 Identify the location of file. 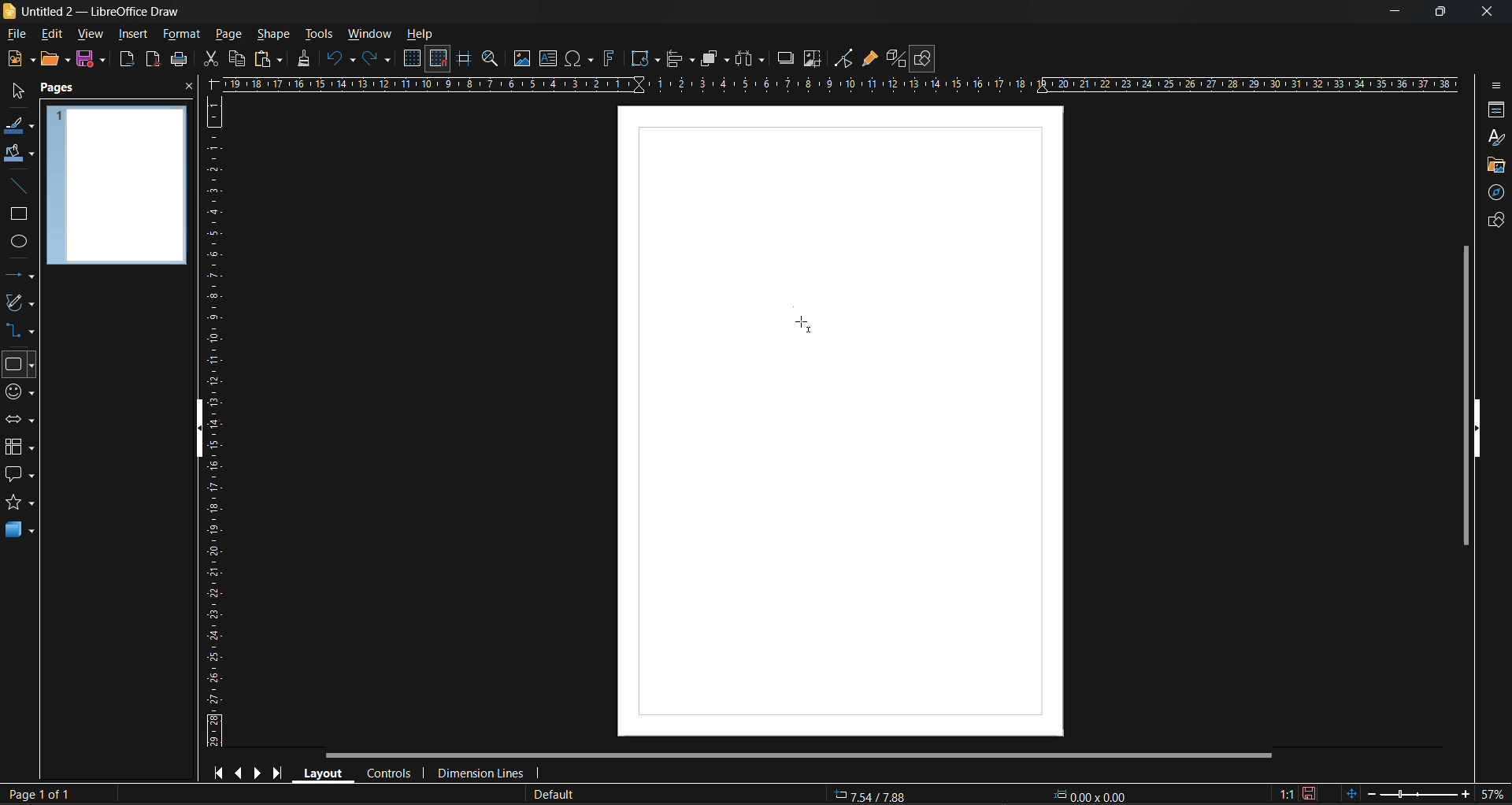
(19, 35).